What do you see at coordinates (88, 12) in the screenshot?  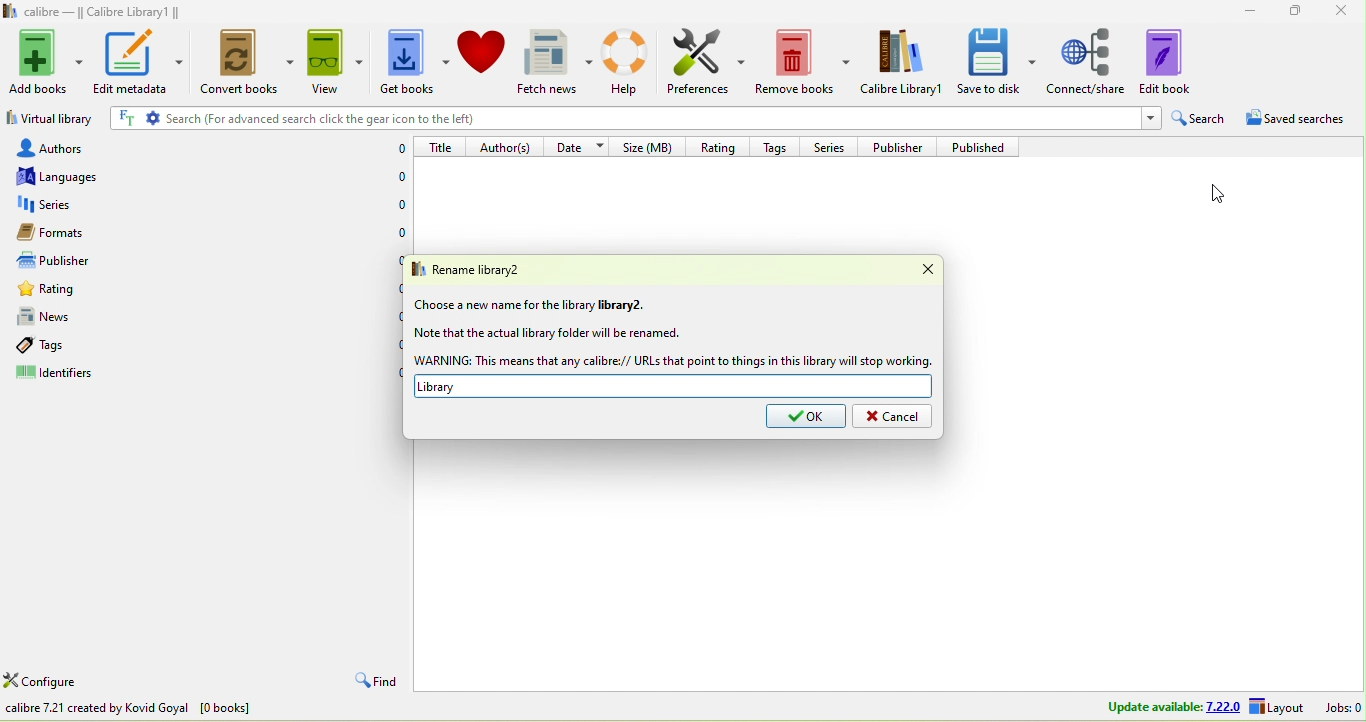 I see `calibre — Calibre Library` at bounding box center [88, 12].